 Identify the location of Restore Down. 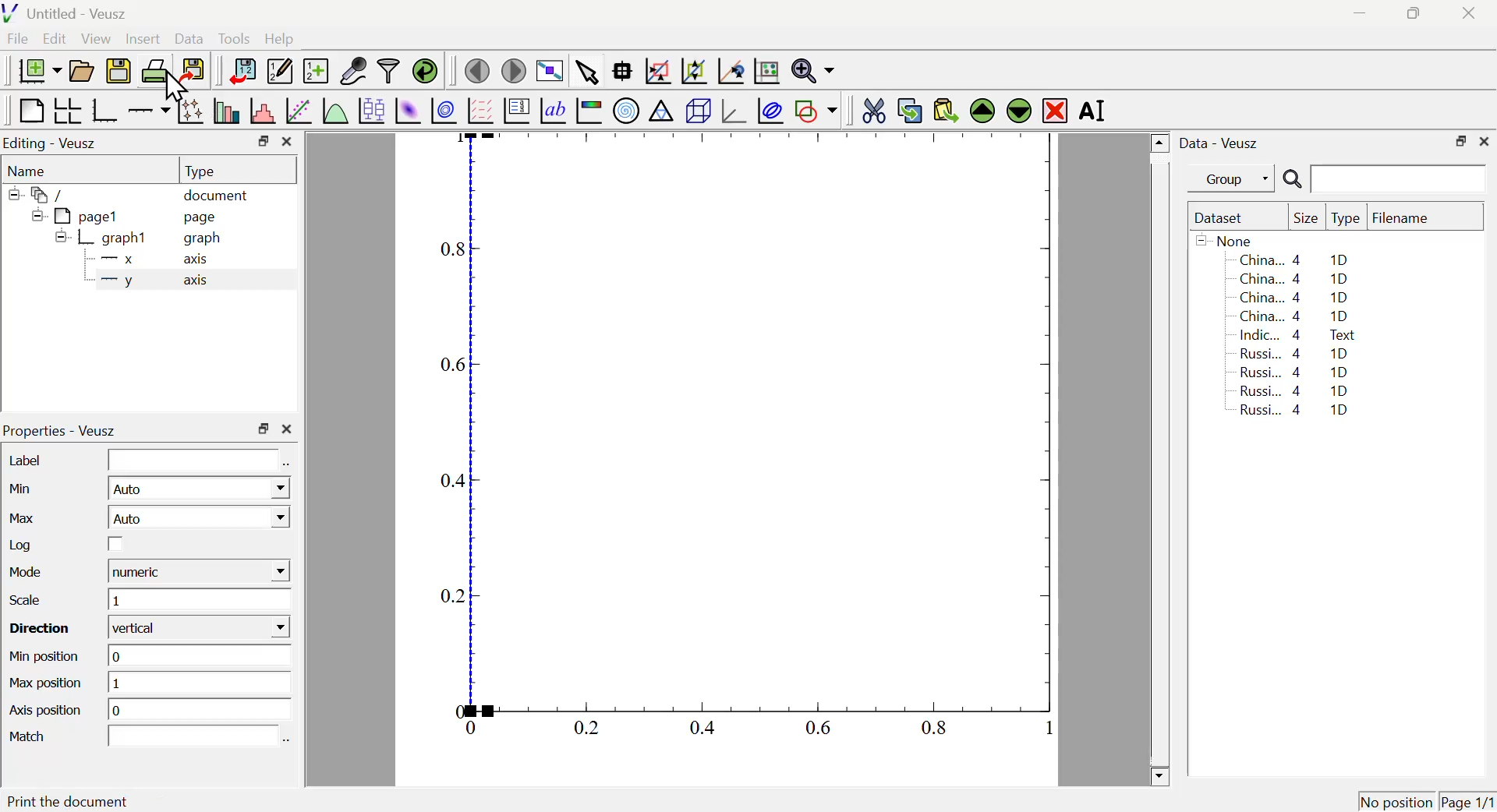
(264, 429).